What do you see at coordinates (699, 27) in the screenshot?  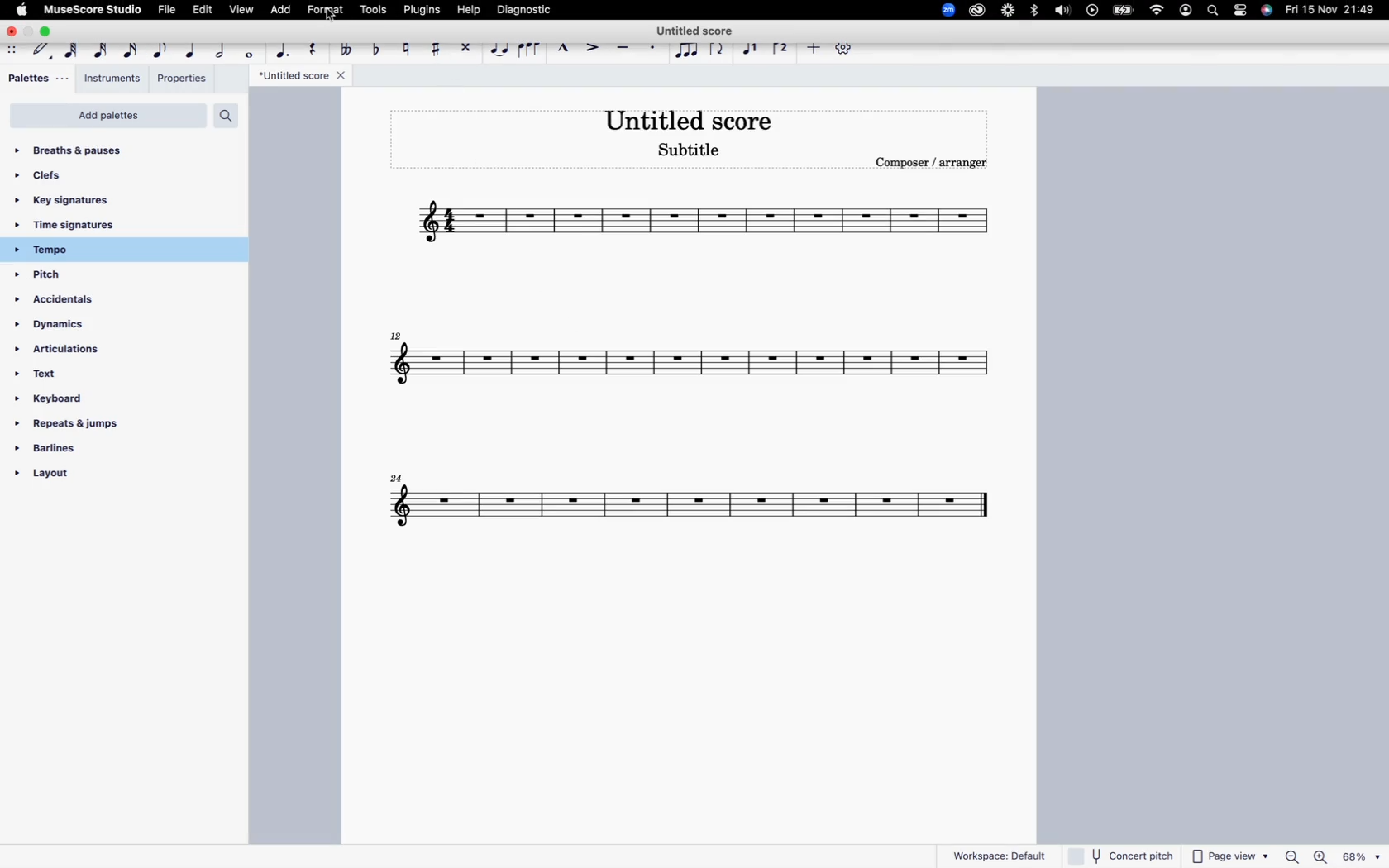 I see `score title` at bounding box center [699, 27].